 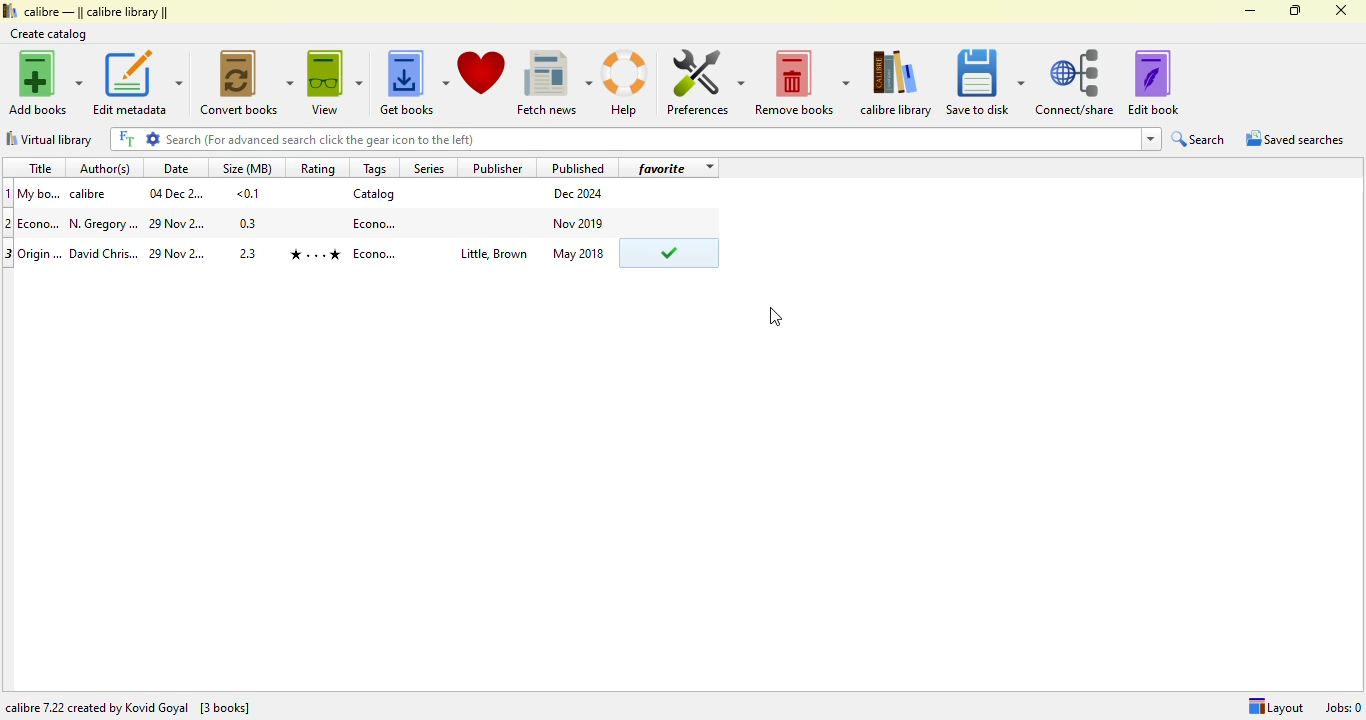 What do you see at coordinates (499, 167) in the screenshot?
I see `publisher` at bounding box center [499, 167].